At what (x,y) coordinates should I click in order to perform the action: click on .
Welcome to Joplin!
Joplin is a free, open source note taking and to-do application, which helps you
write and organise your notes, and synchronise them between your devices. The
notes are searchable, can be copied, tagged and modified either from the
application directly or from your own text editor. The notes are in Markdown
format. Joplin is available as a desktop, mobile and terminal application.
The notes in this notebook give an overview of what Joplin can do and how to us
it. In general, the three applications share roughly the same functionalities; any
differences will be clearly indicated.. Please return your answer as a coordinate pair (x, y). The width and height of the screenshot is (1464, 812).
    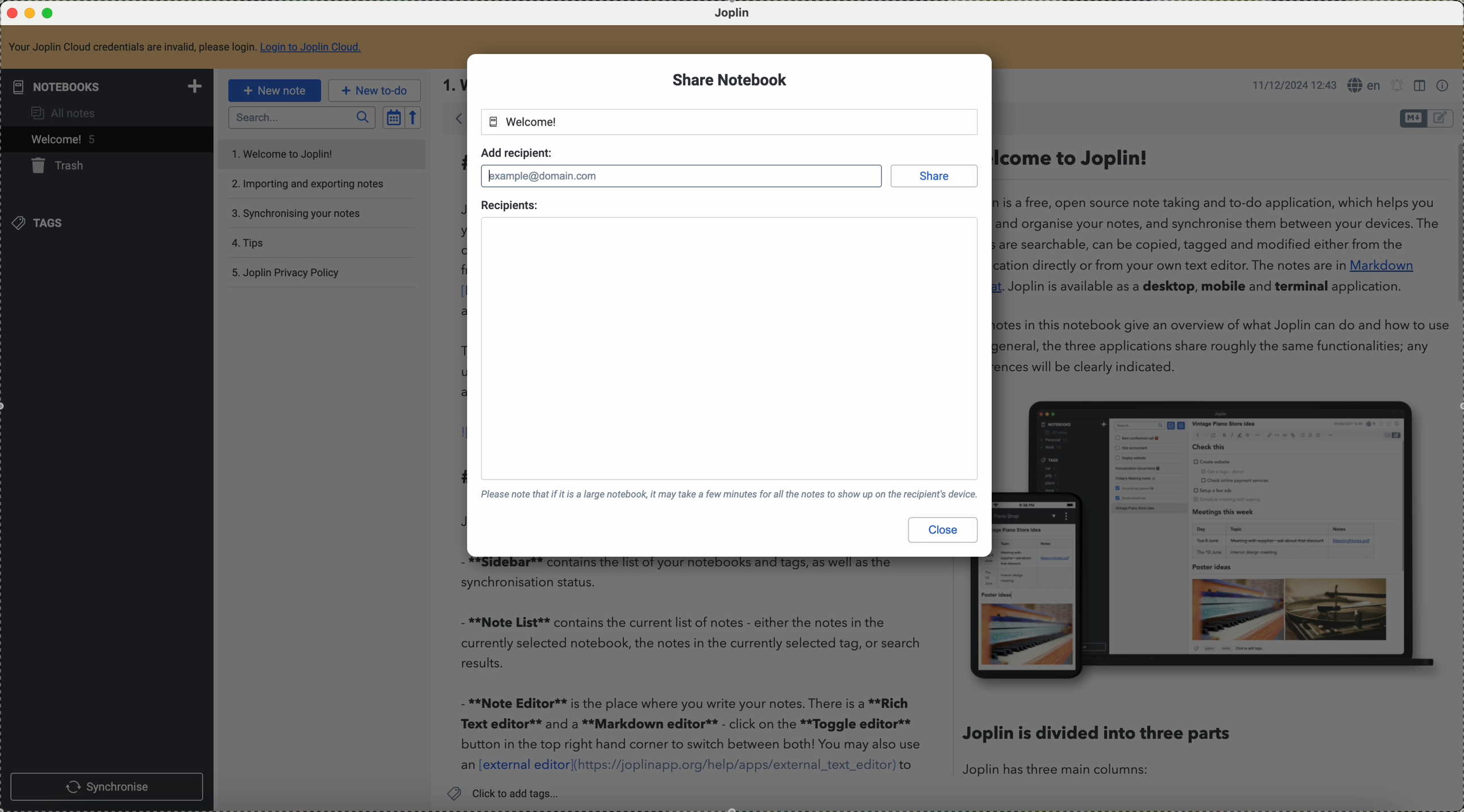
    Looking at the image, I should click on (1216, 260).